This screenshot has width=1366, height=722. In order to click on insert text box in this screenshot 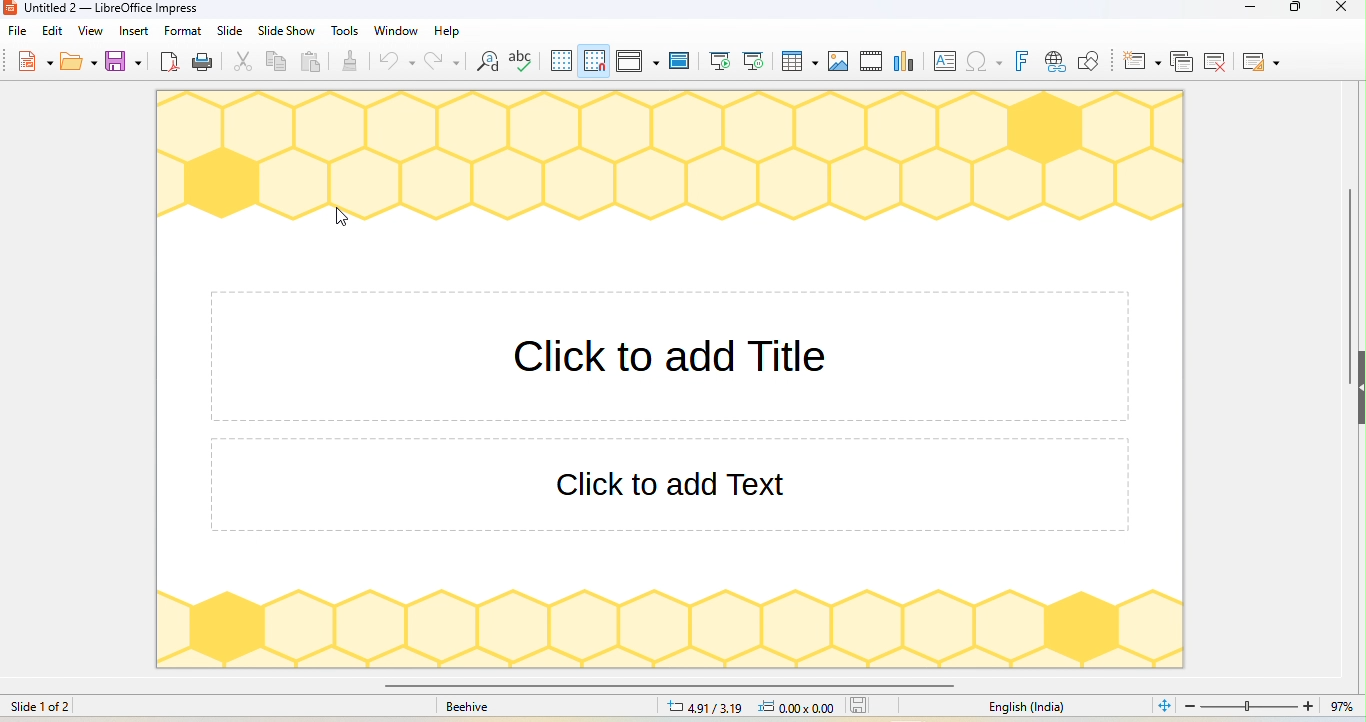, I will do `click(945, 61)`.